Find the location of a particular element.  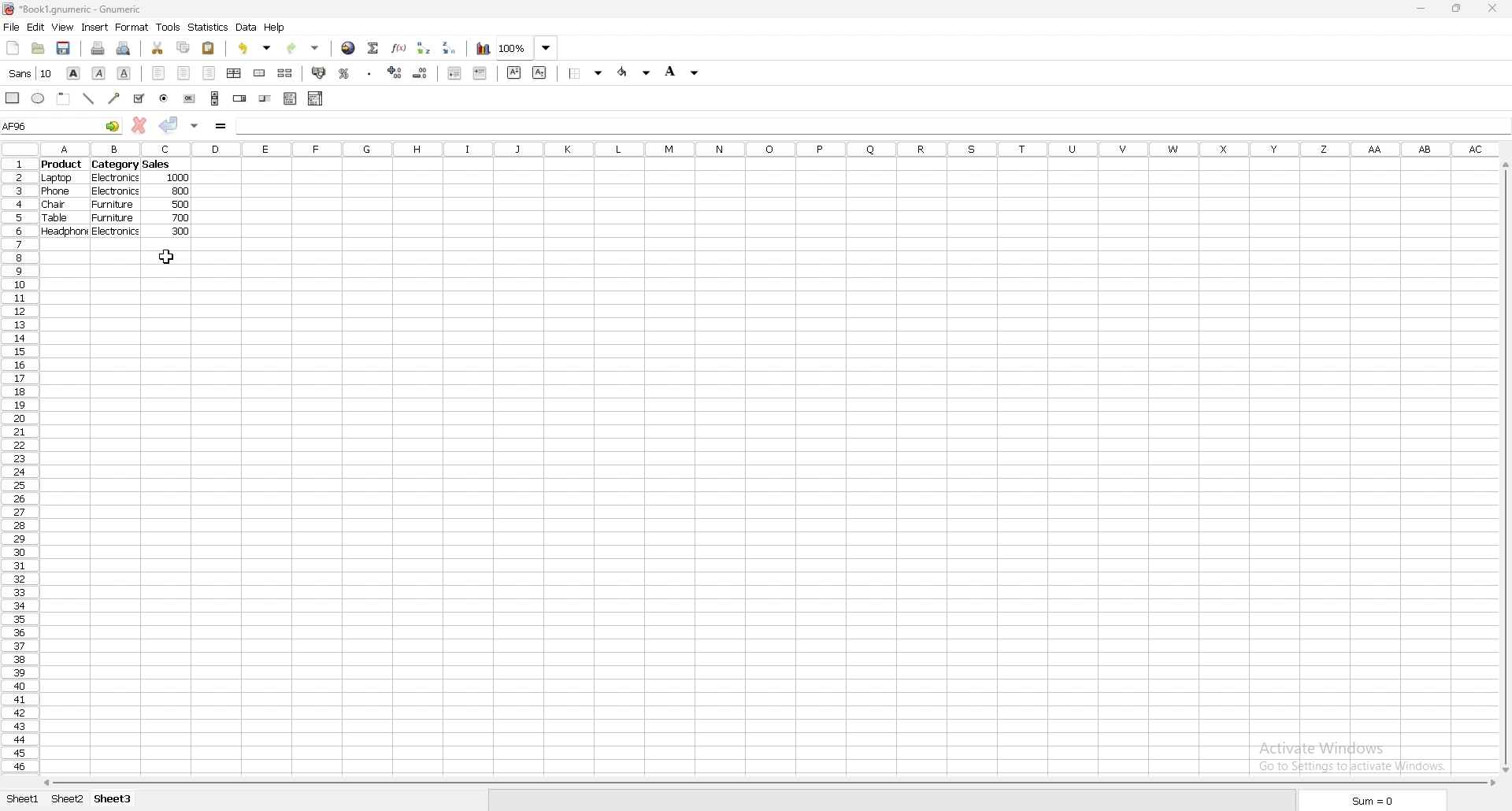

decrease decimal points is located at coordinates (421, 74).